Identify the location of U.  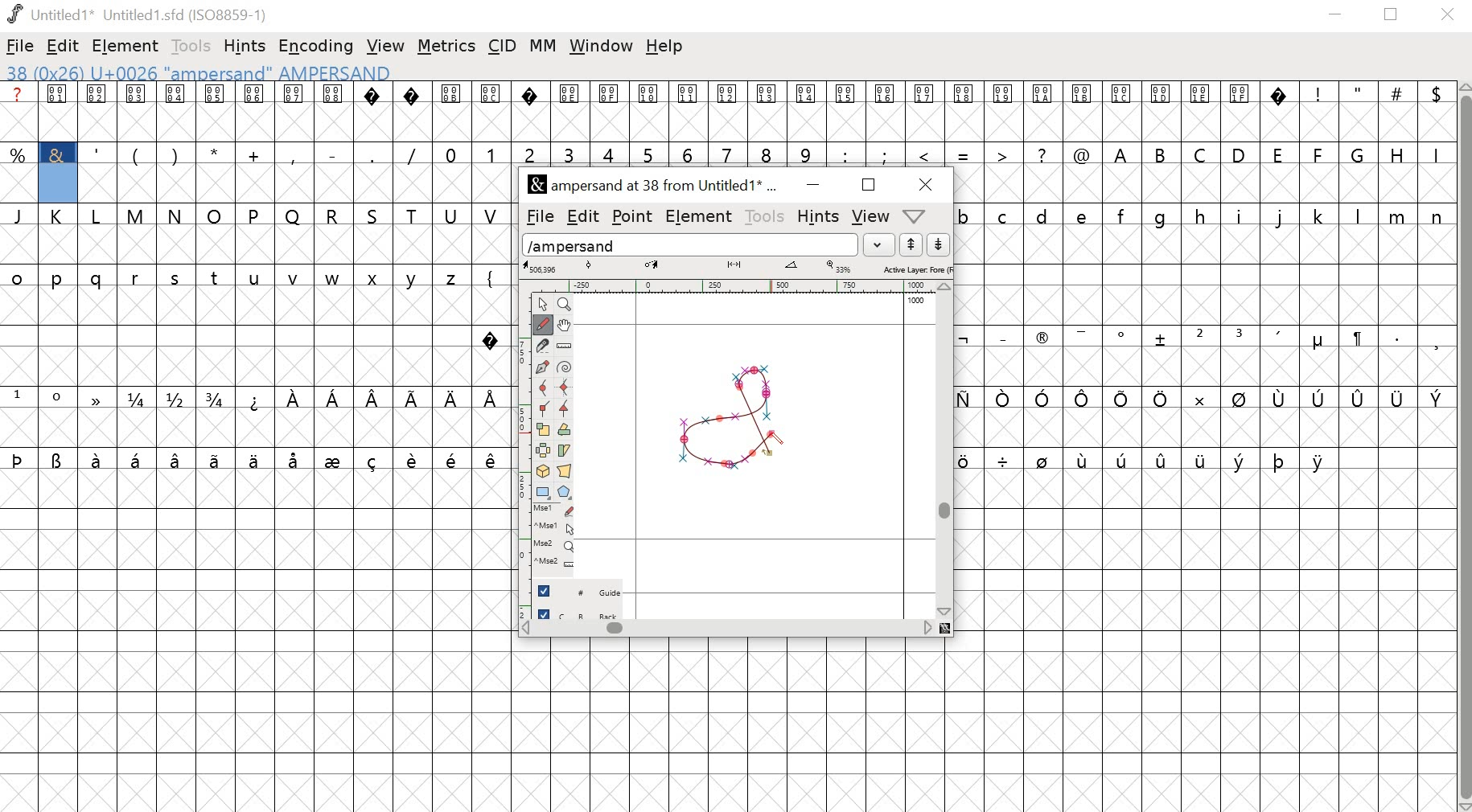
(452, 215).